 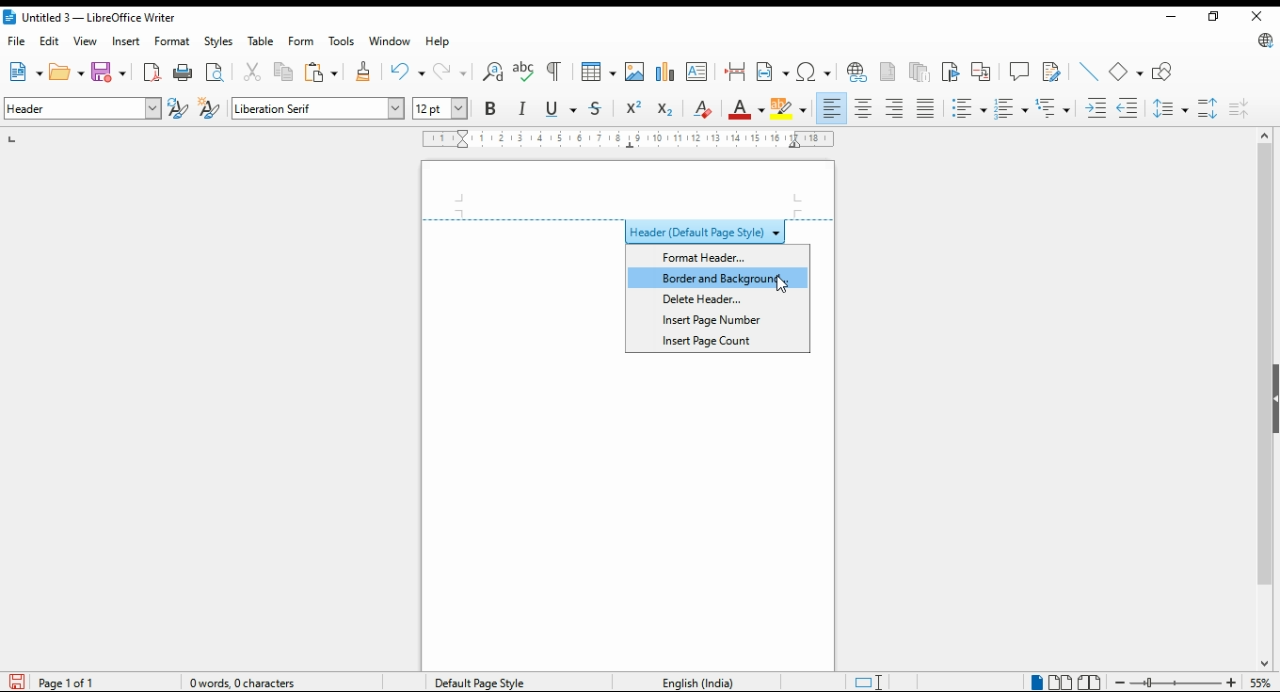 What do you see at coordinates (785, 287) in the screenshot?
I see `mouse pointer` at bounding box center [785, 287].